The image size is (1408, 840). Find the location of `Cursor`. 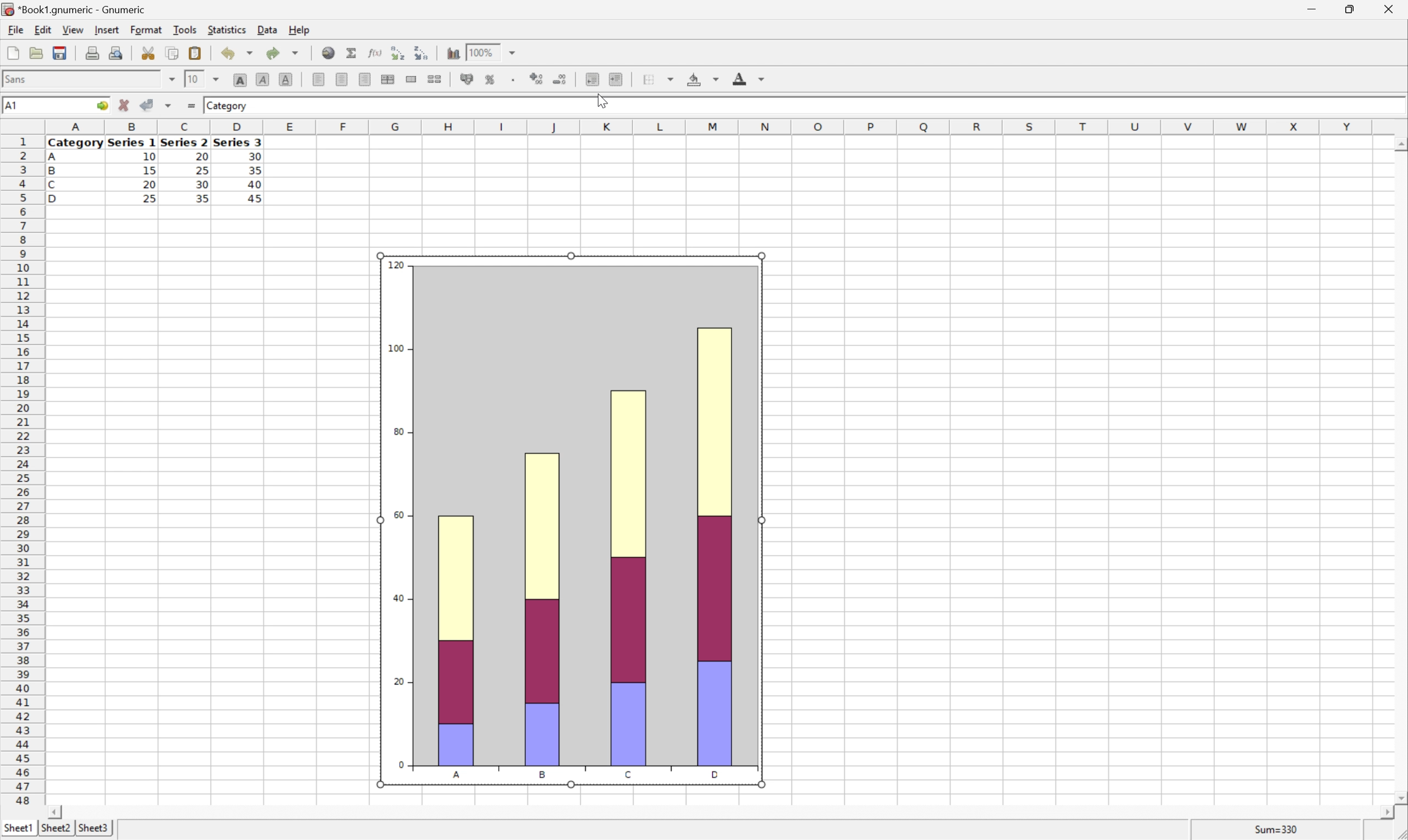

Cursor is located at coordinates (602, 100).